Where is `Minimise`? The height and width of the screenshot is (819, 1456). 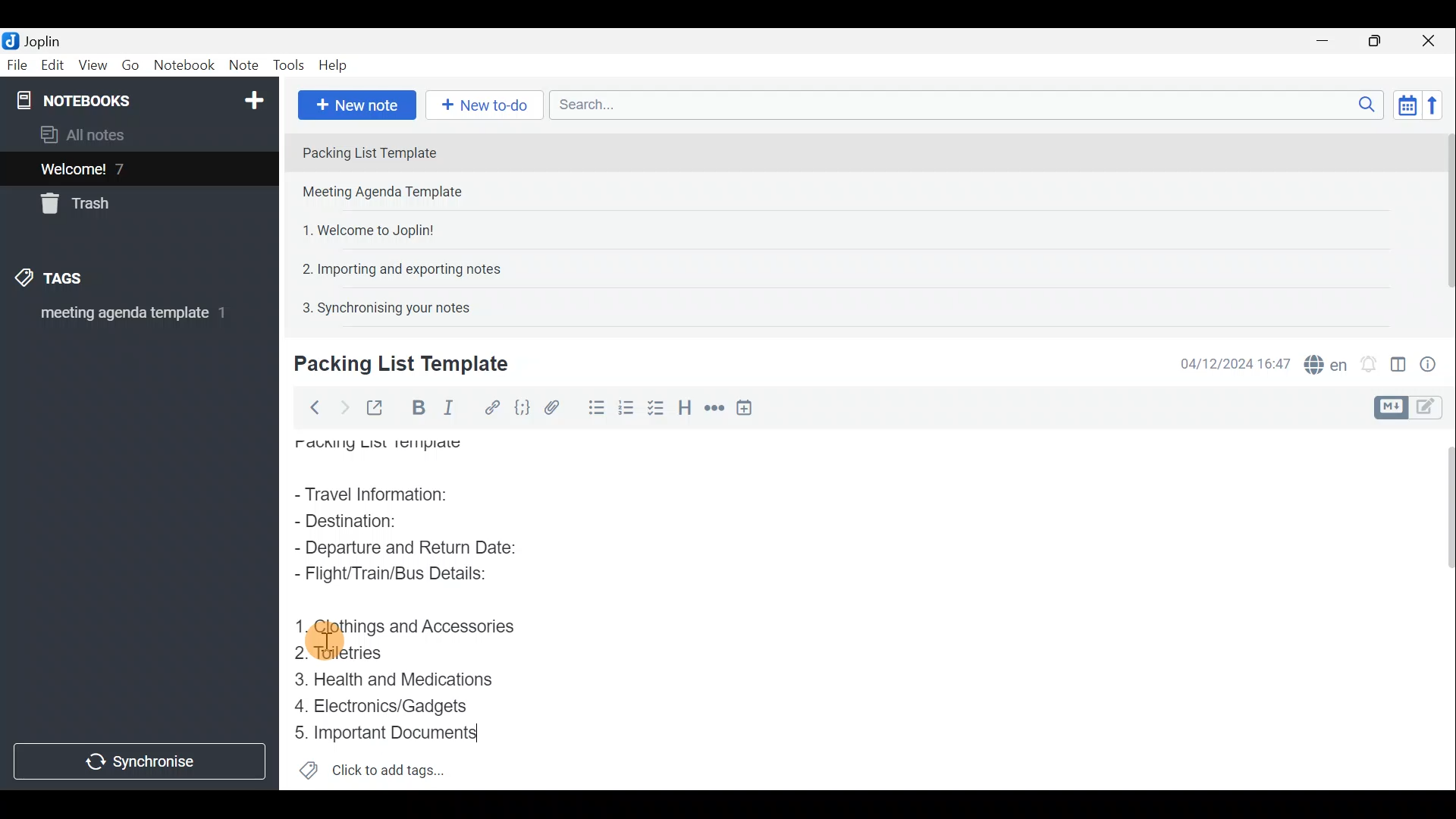 Minimise is located at coordinates (1330, 43).